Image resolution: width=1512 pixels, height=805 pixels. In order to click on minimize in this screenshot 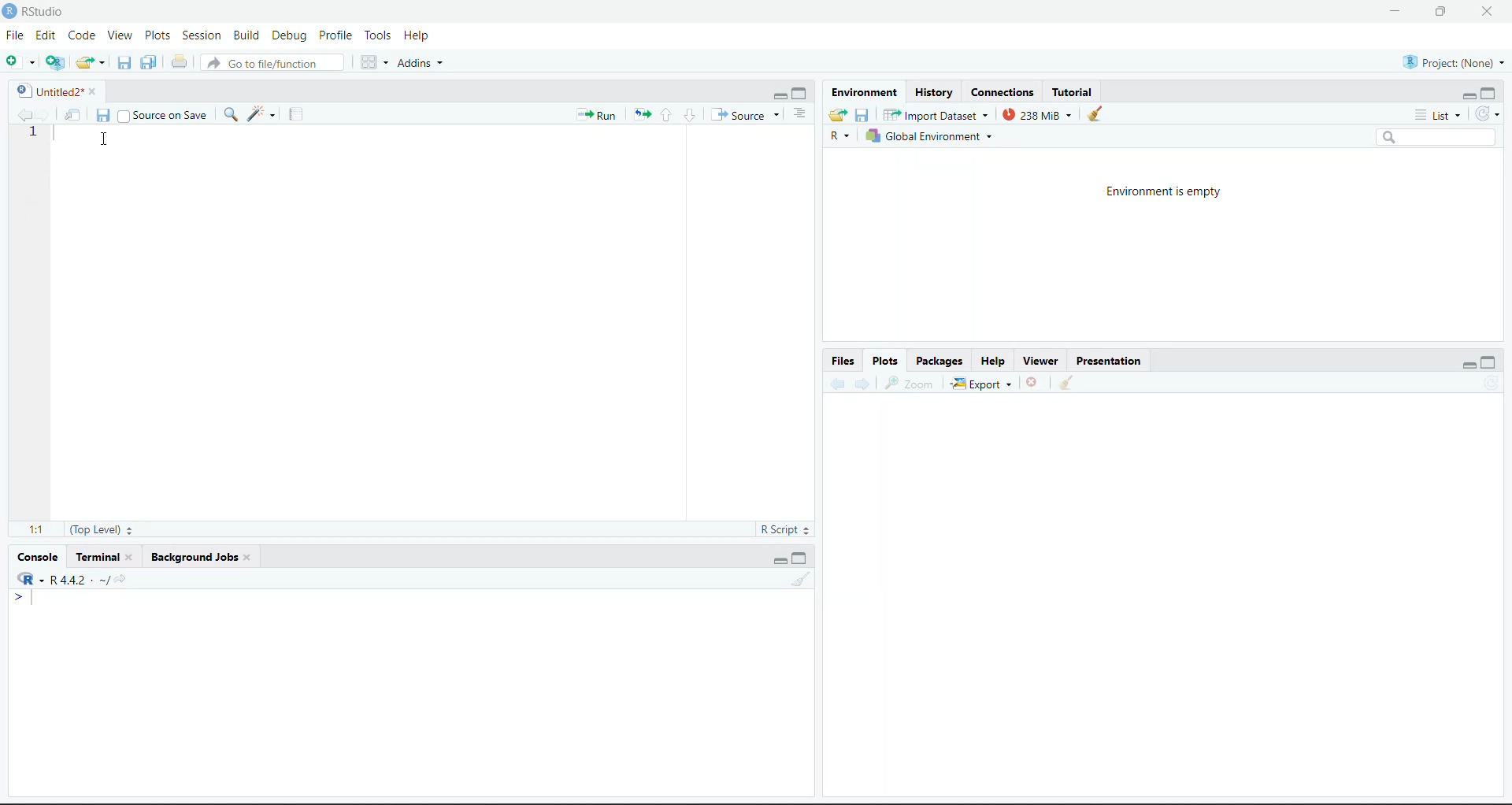, I will do `click(1468, 367)`.